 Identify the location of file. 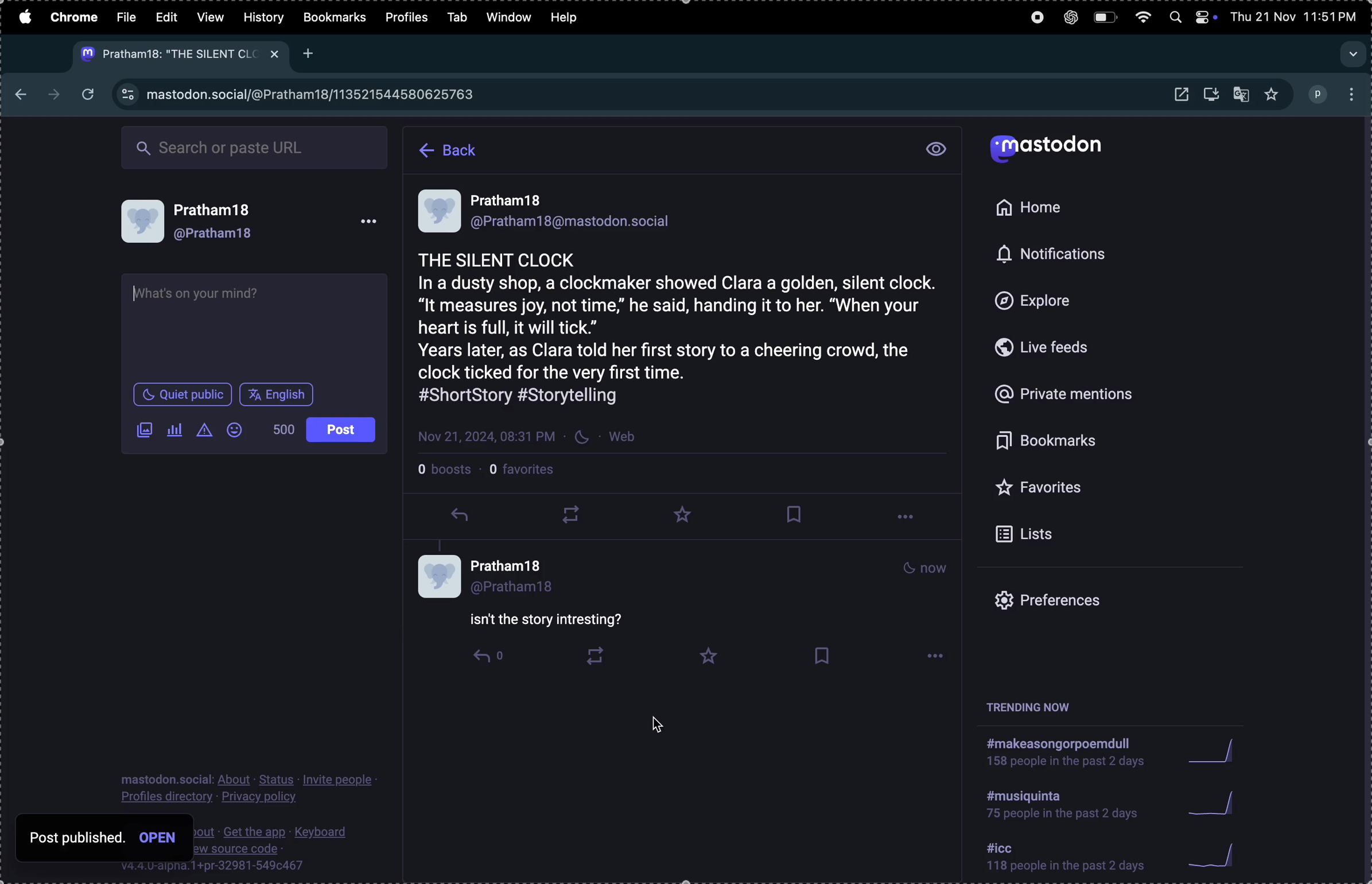
(128, 17).